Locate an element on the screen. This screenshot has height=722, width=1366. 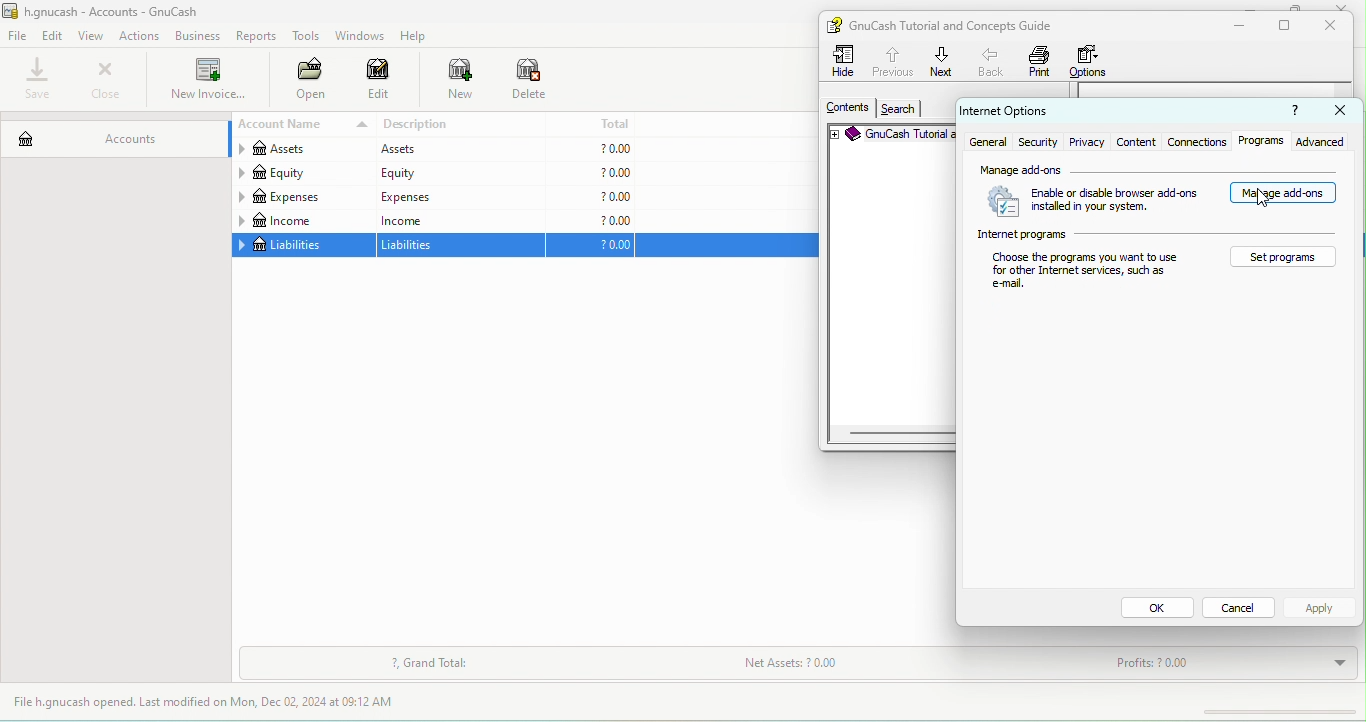
liabilities is located at coordinates (462, 246).